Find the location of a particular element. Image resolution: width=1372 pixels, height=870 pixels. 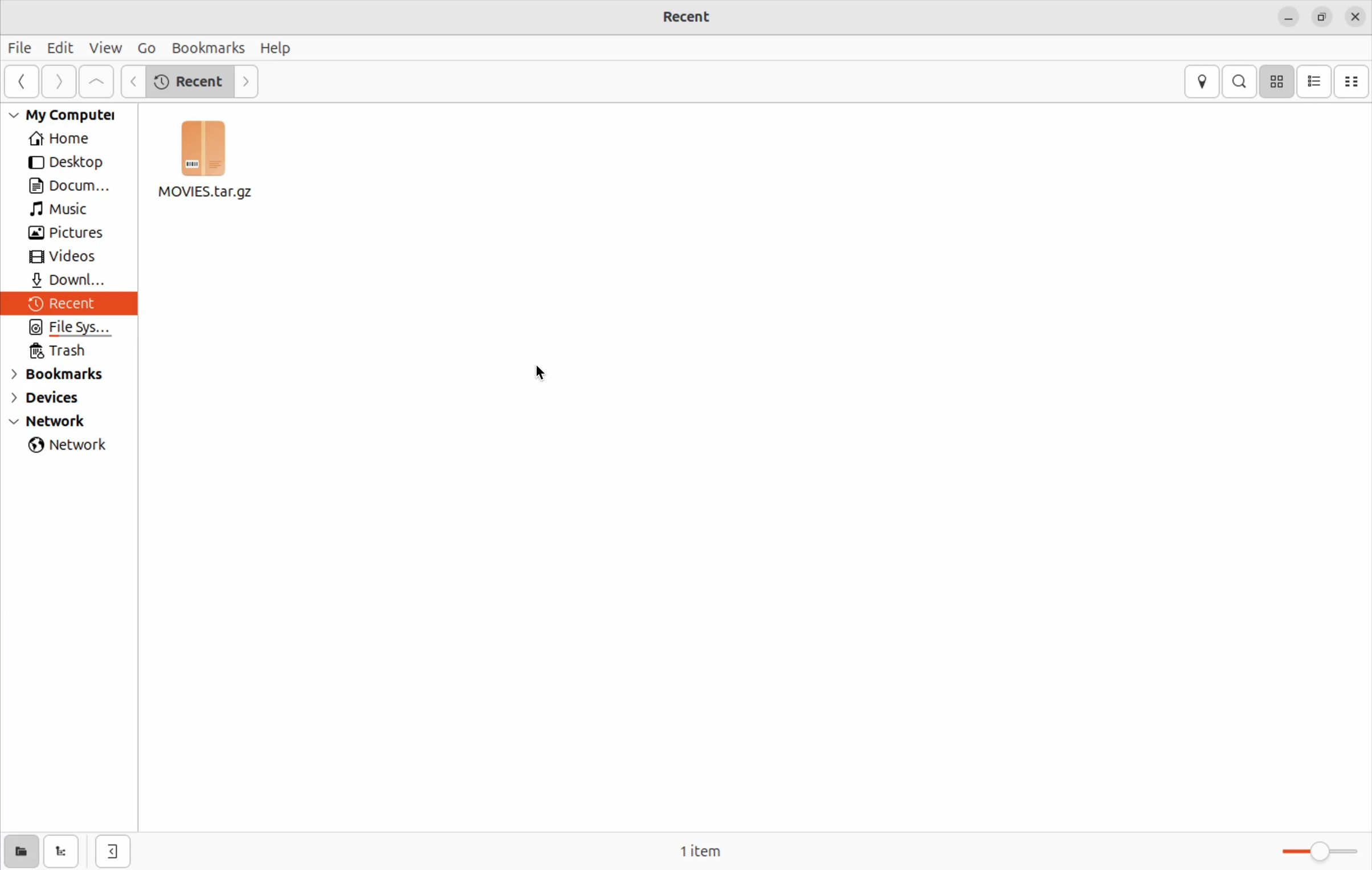

home is located at coordinates (68, 137).